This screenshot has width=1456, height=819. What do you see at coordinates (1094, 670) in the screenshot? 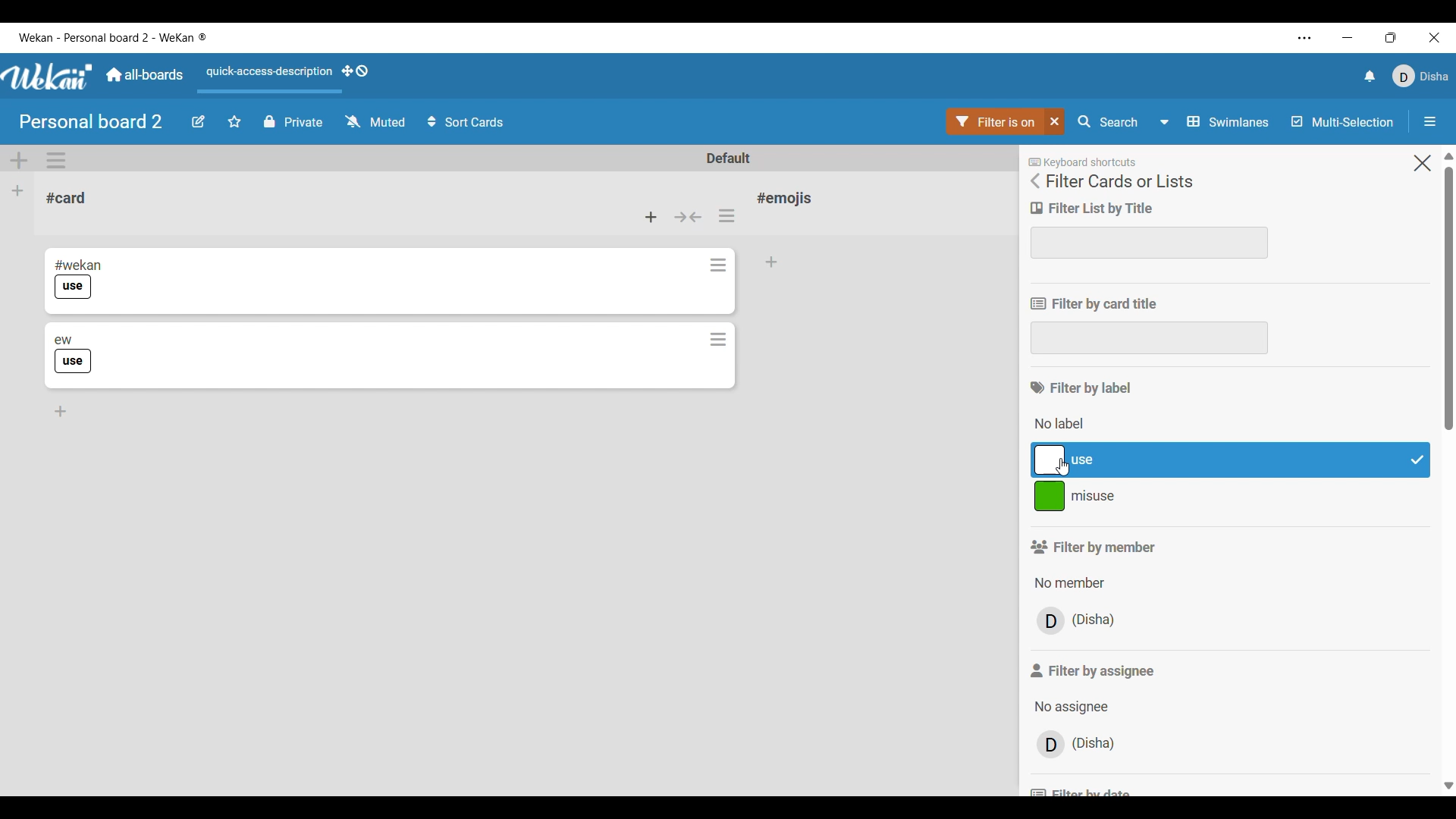
I see `Section title` at bounding box center [1094, 670].